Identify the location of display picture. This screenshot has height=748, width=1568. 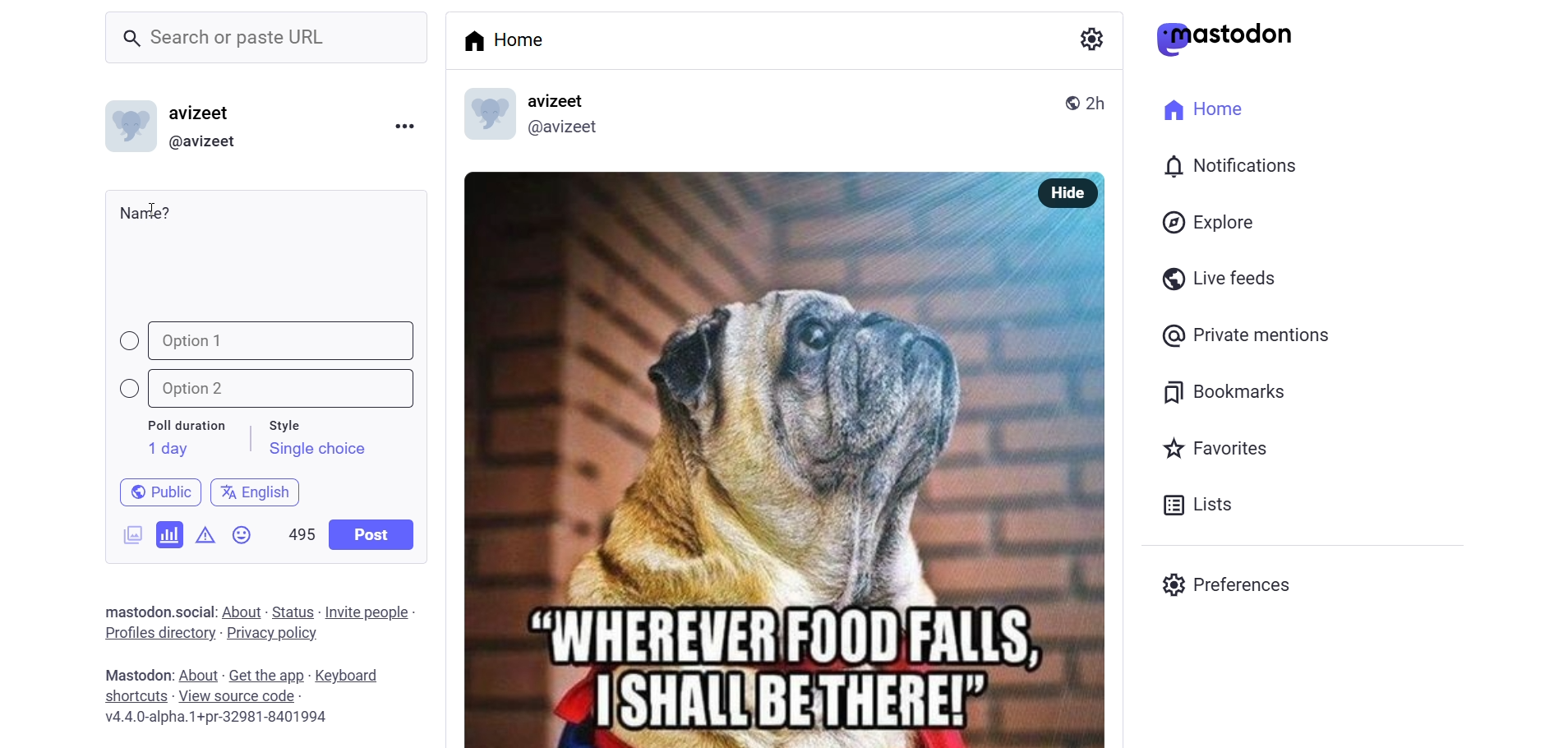
(481, 116).